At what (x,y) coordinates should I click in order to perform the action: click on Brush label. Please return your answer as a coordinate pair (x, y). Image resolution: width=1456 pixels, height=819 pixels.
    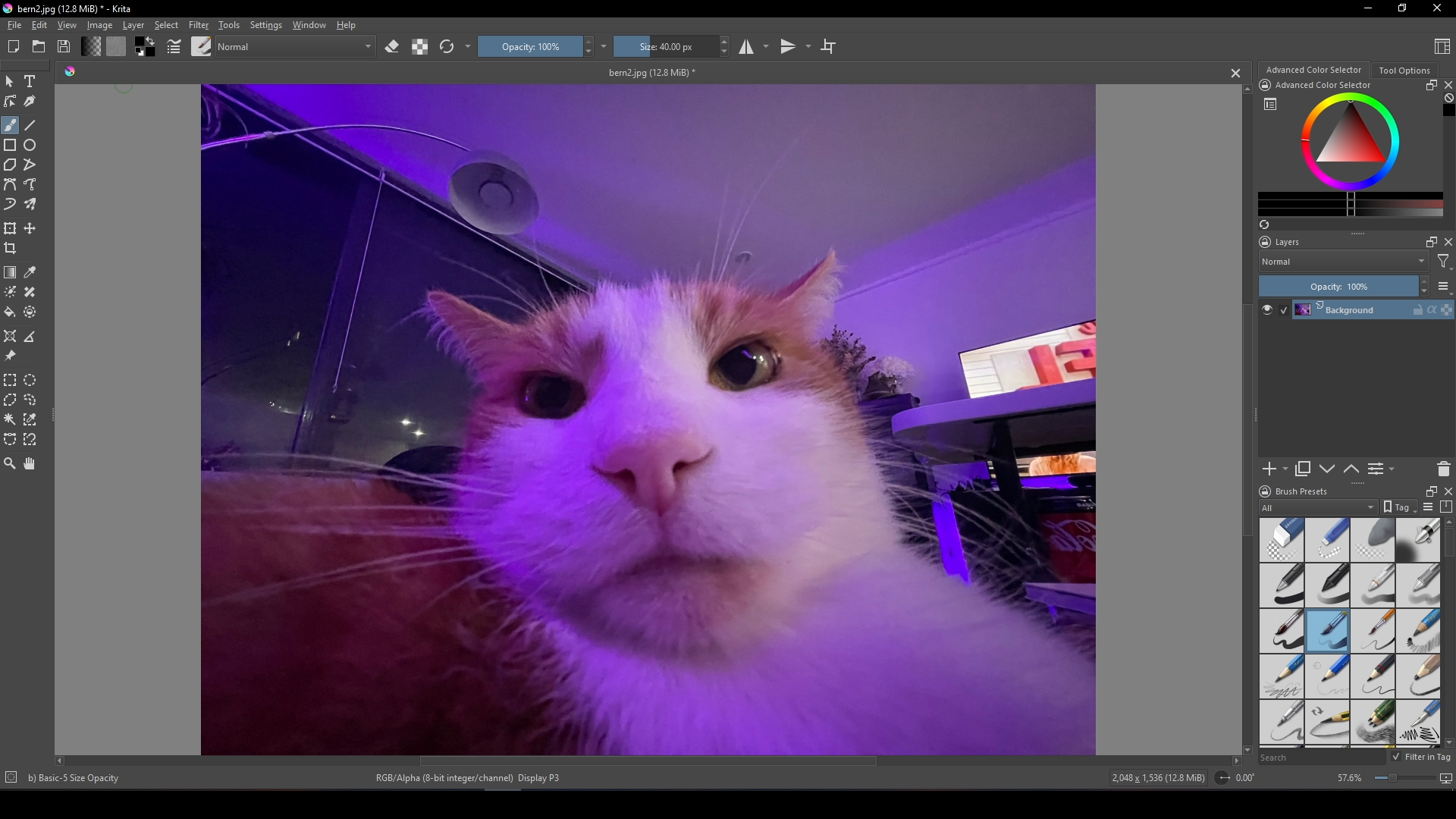
    Looking at the image, I should click on (1293, 490).